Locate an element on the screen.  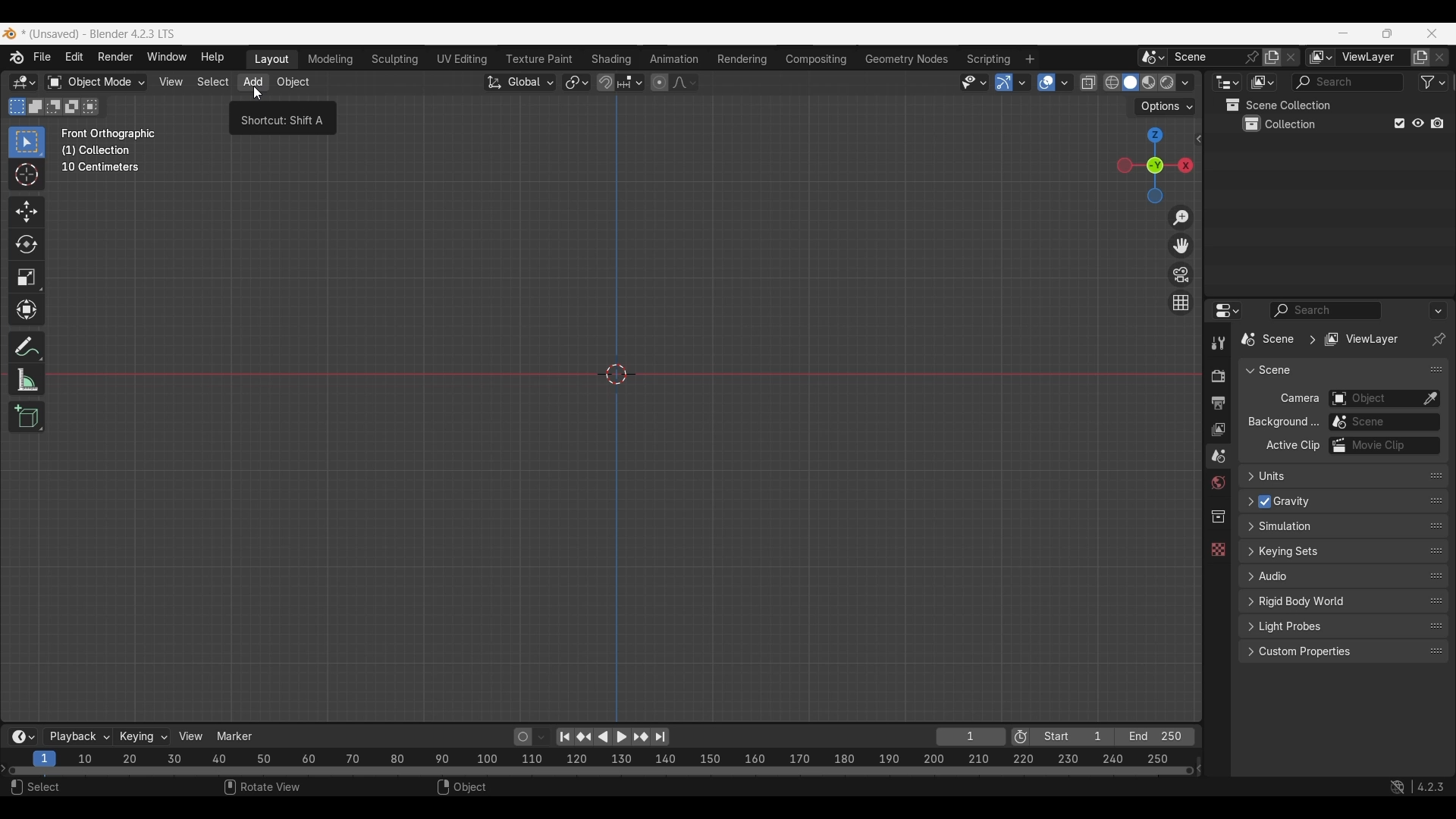
Transform is located at coordinates (26, 311).